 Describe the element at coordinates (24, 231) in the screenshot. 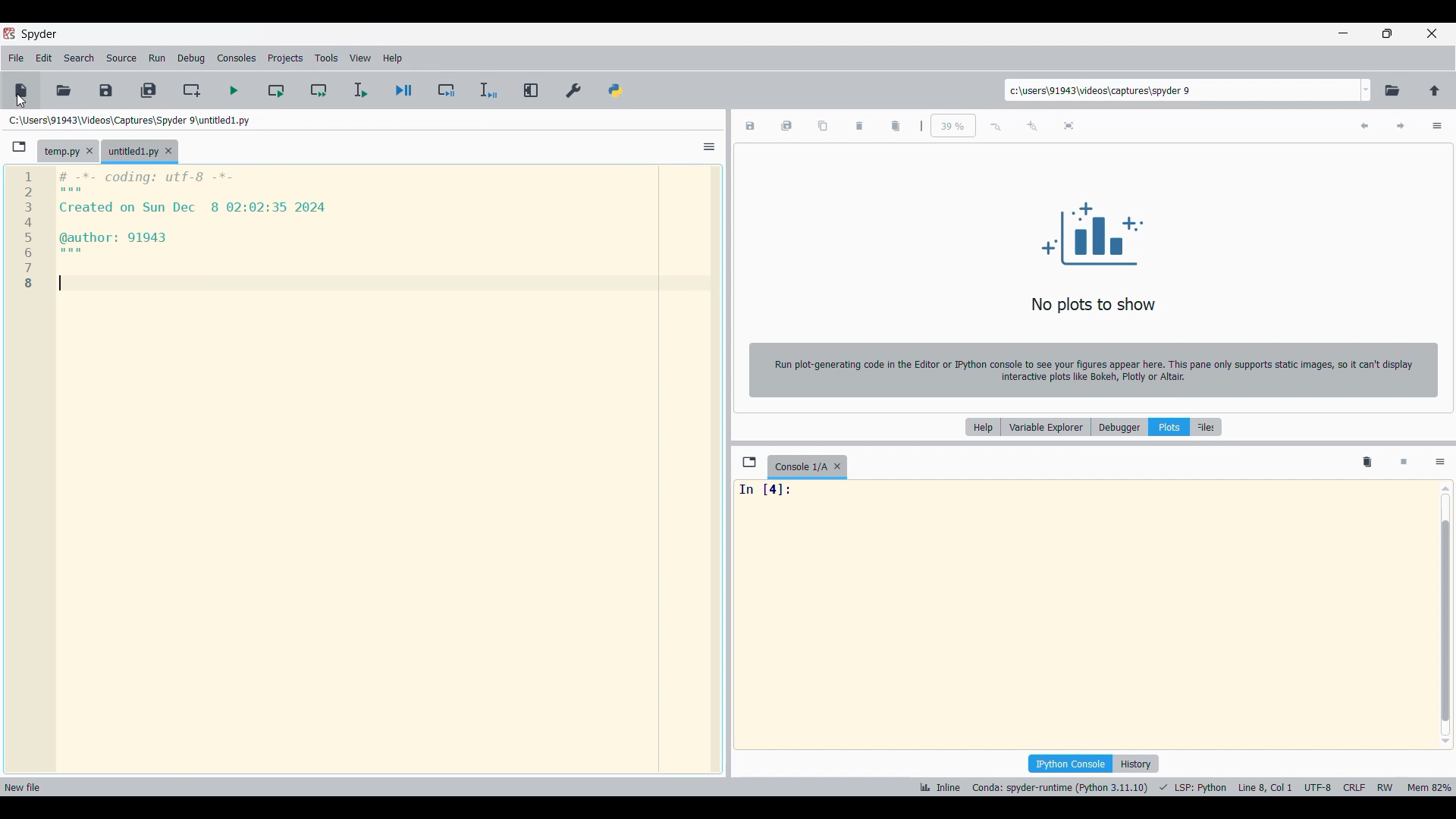

I see `1
2
3
4
5
6
7
8` at that location.